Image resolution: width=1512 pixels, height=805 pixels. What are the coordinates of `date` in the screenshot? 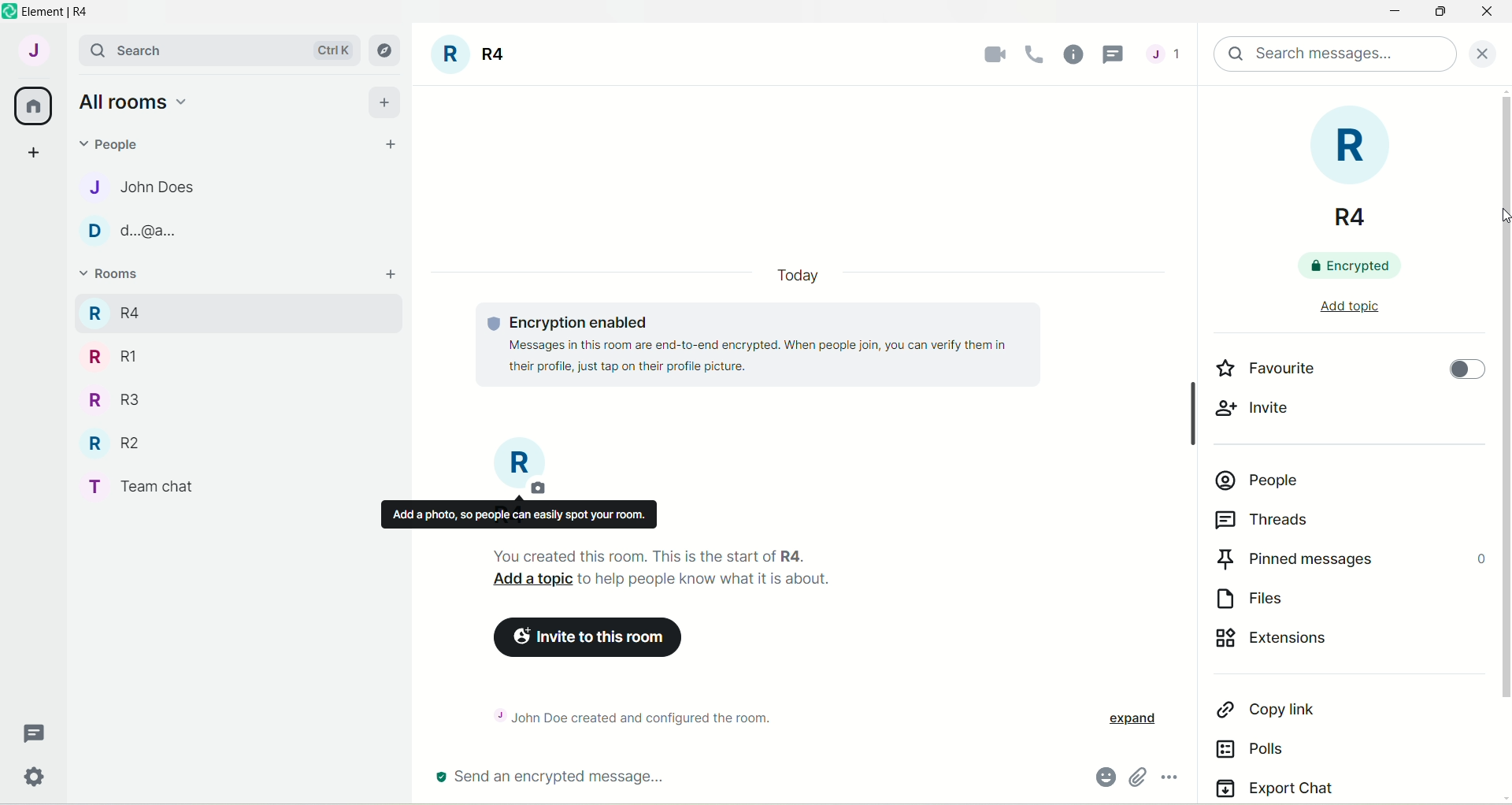 It's located at (797, 276).